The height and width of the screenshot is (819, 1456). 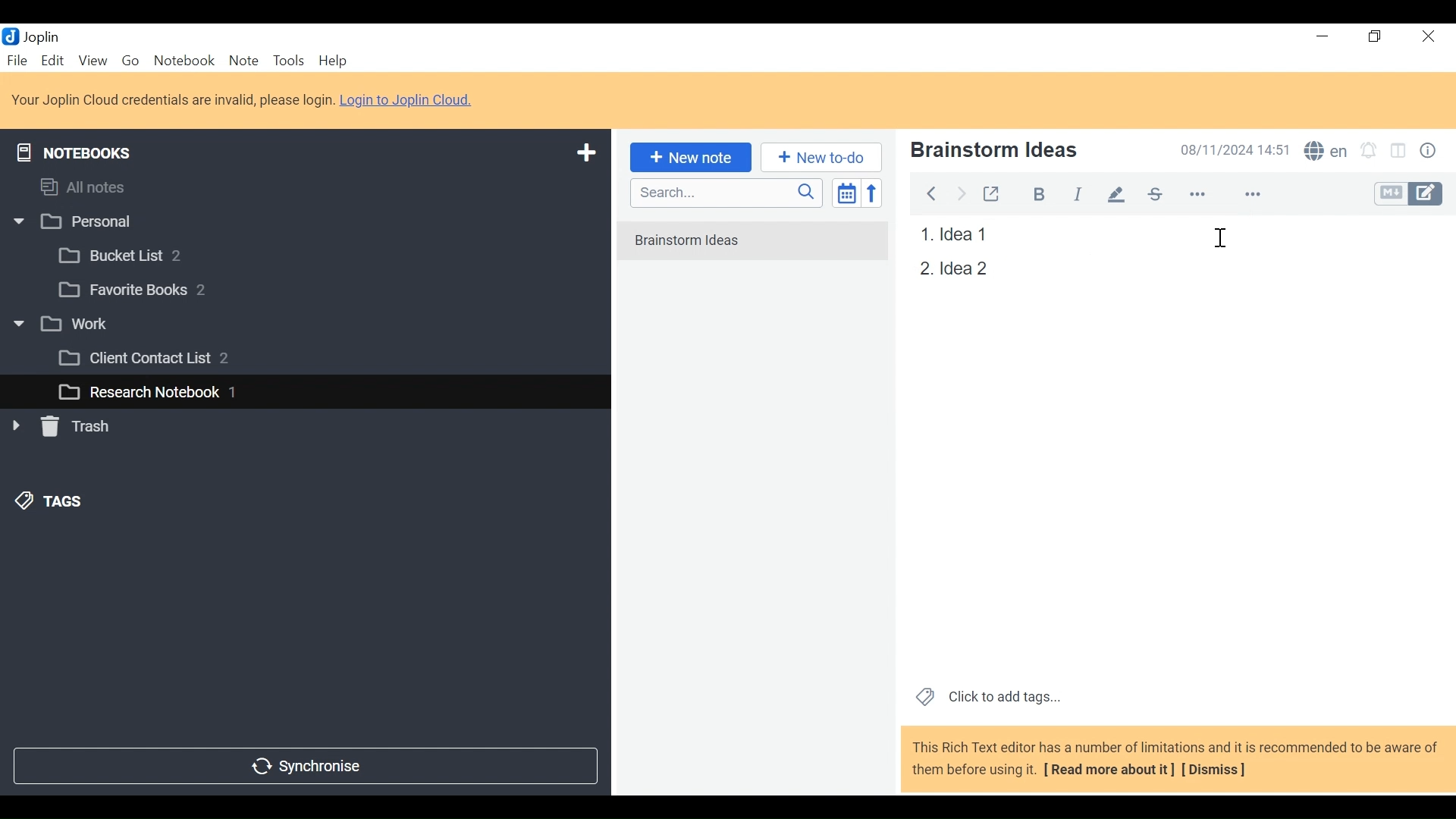 What do you see at coordinates (1026, 152) in the screenshot?
I see `Note Name` at bounding box center [1026, 152].